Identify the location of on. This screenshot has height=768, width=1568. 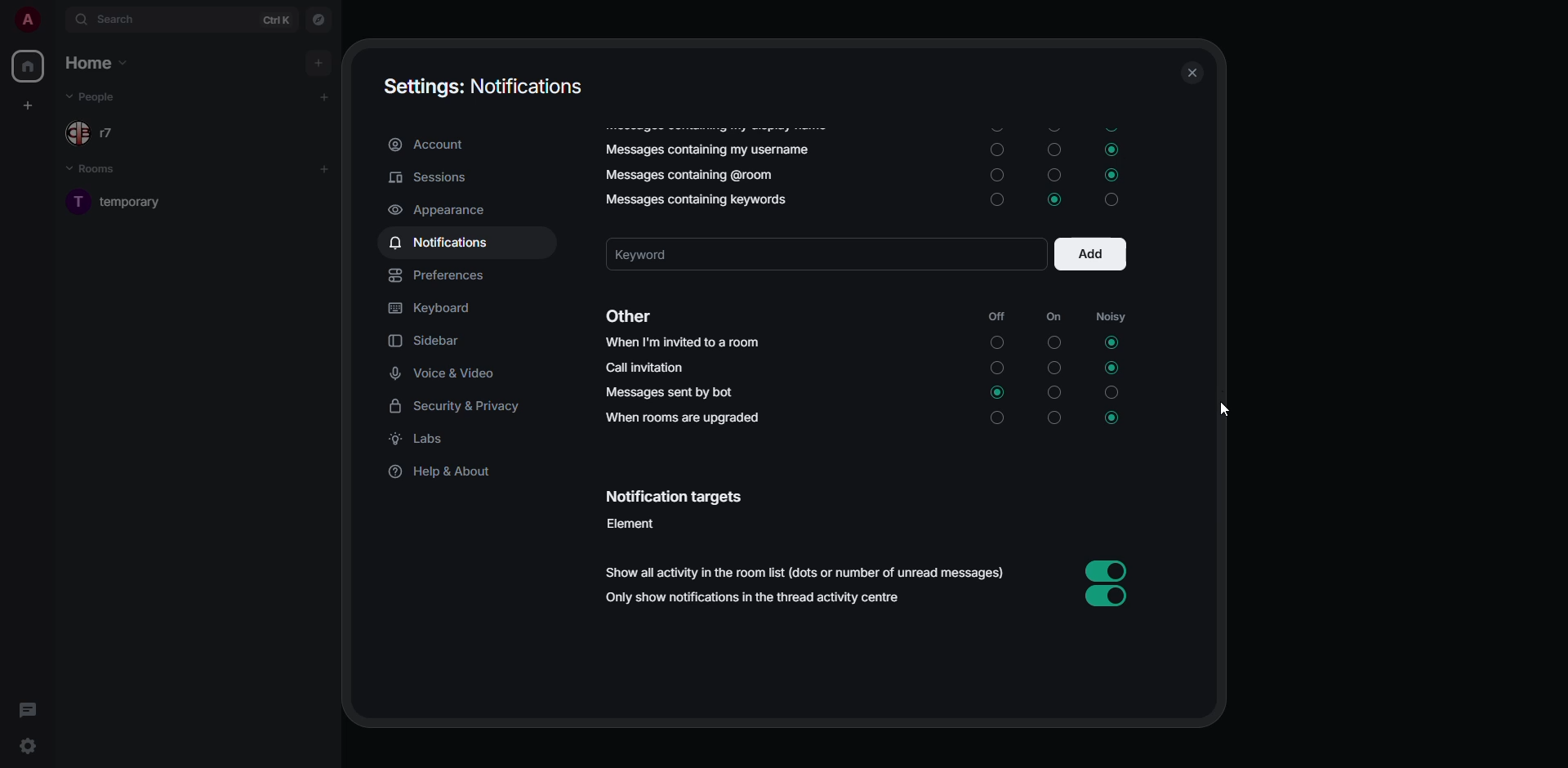
(996, 150).